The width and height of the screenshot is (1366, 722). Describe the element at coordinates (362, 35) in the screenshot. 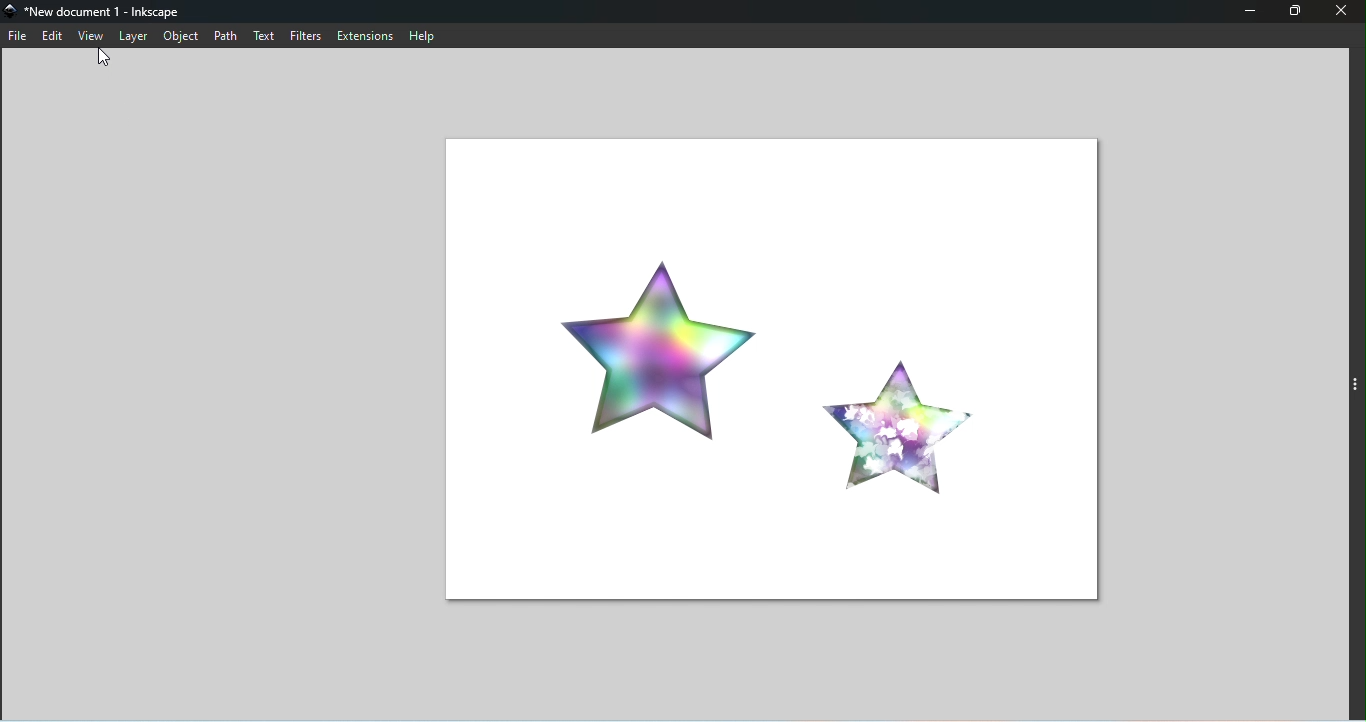

I see `Extensions` at that location.